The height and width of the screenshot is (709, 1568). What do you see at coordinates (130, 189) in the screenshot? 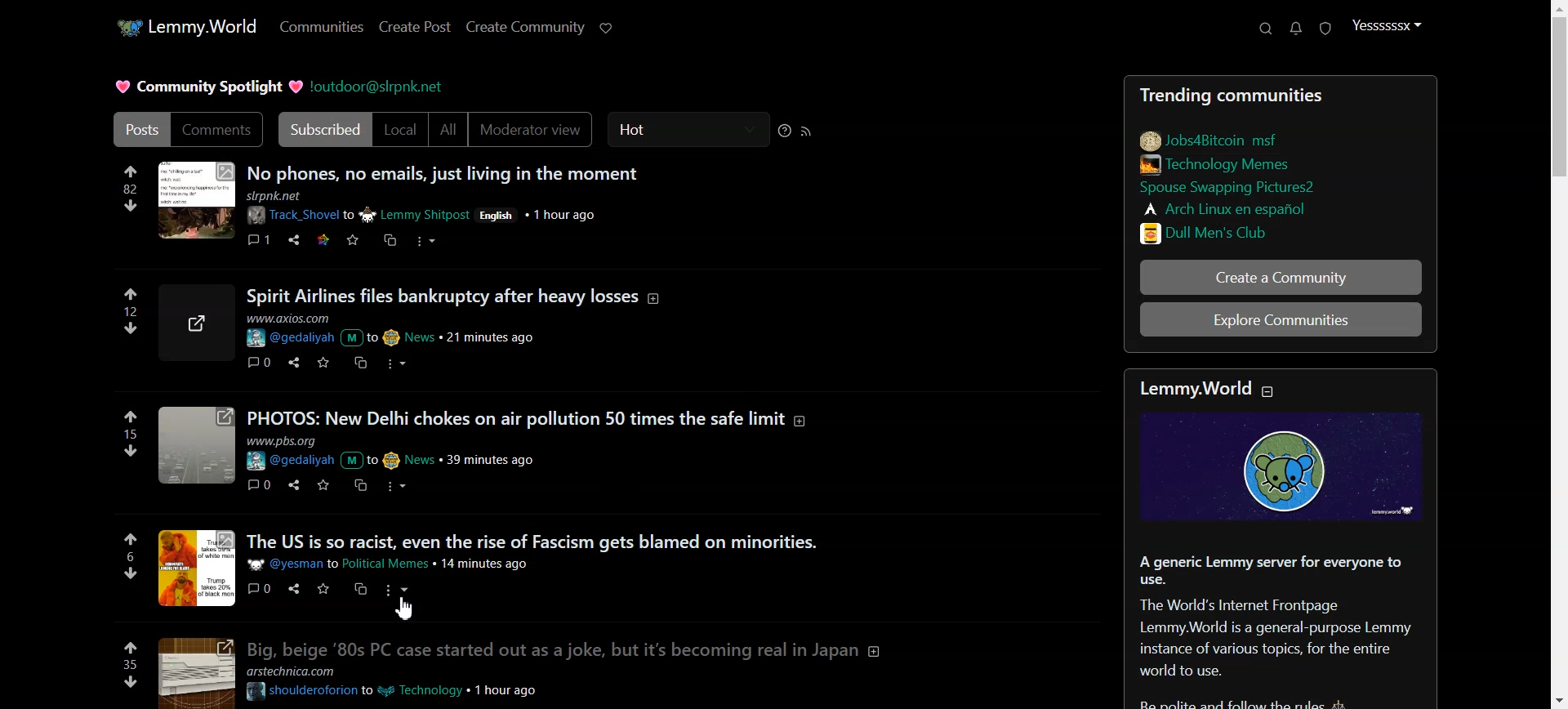
I see `numbers` at bounding box center [130, 189].